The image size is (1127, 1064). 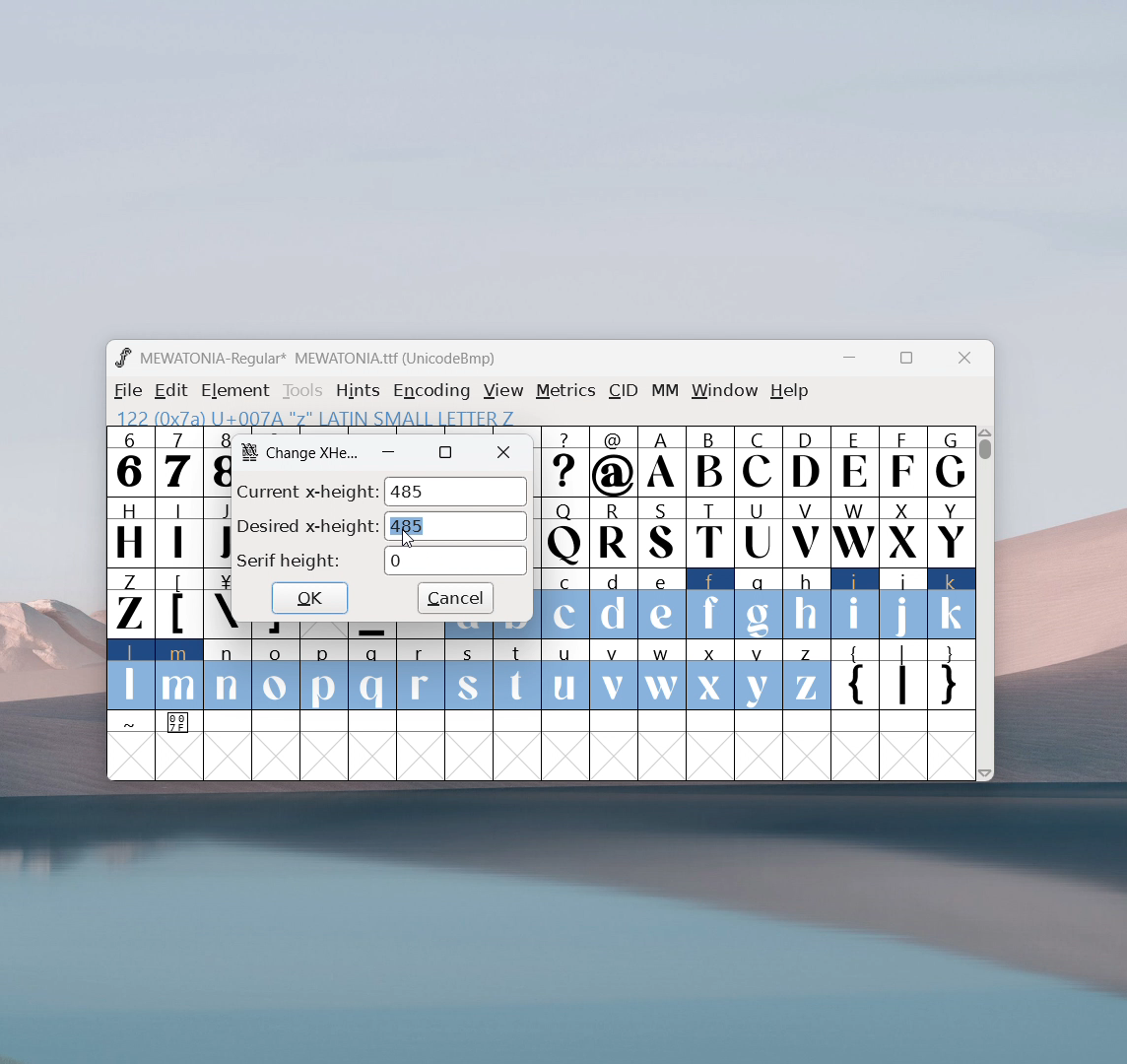 What do you see at coordinates (855, 604) in the screenshot?
I see `i` at bounding box center [855, 604].